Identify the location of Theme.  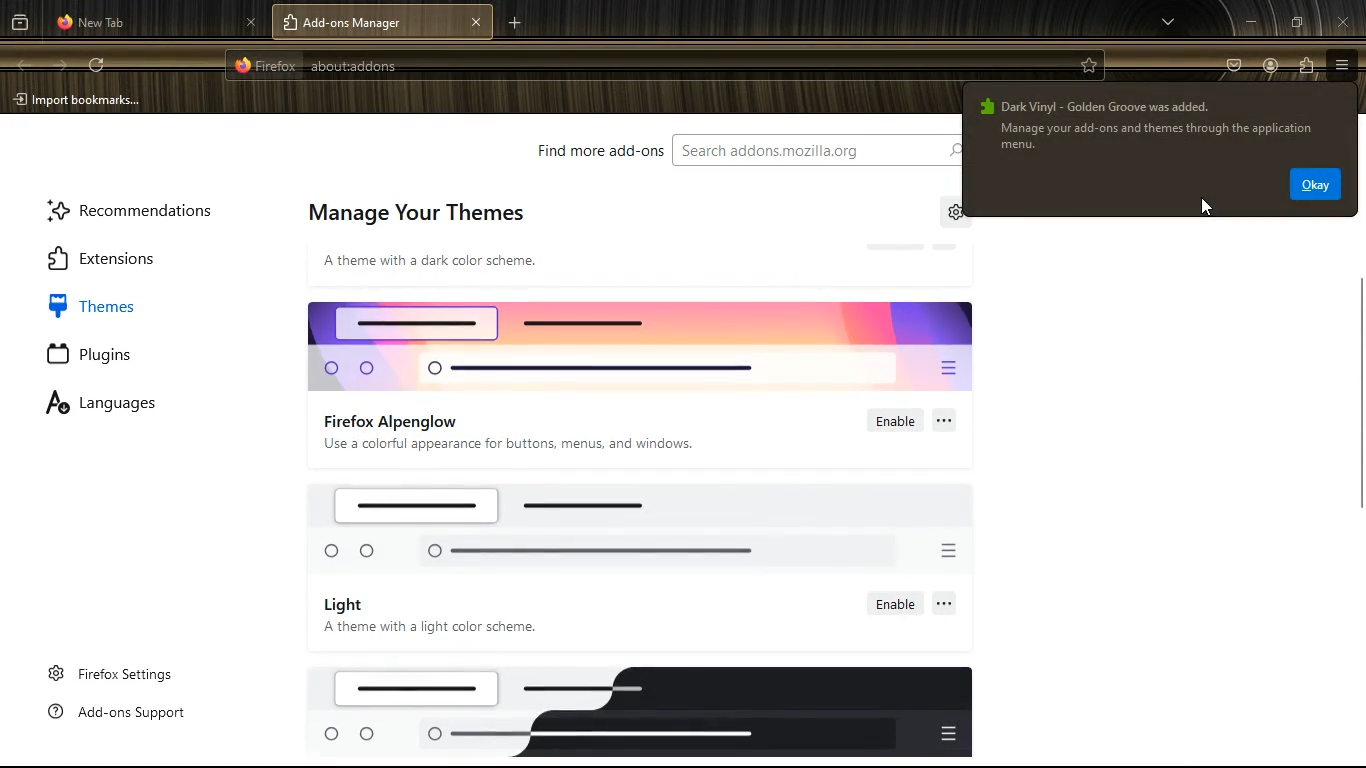
(640, 530).